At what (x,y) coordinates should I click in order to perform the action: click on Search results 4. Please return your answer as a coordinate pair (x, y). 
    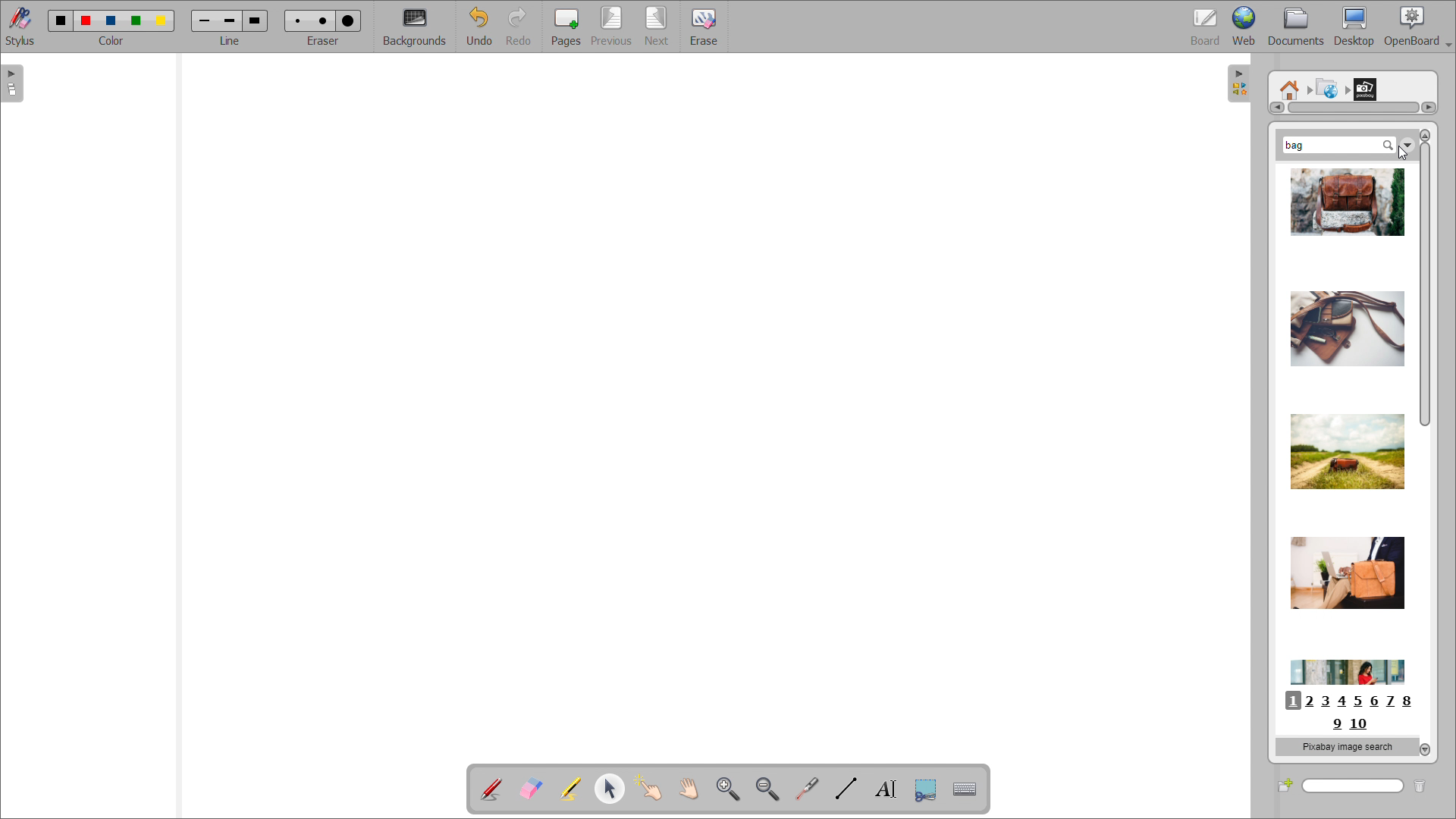
    Looking at the image, I should click on (1341, 572).